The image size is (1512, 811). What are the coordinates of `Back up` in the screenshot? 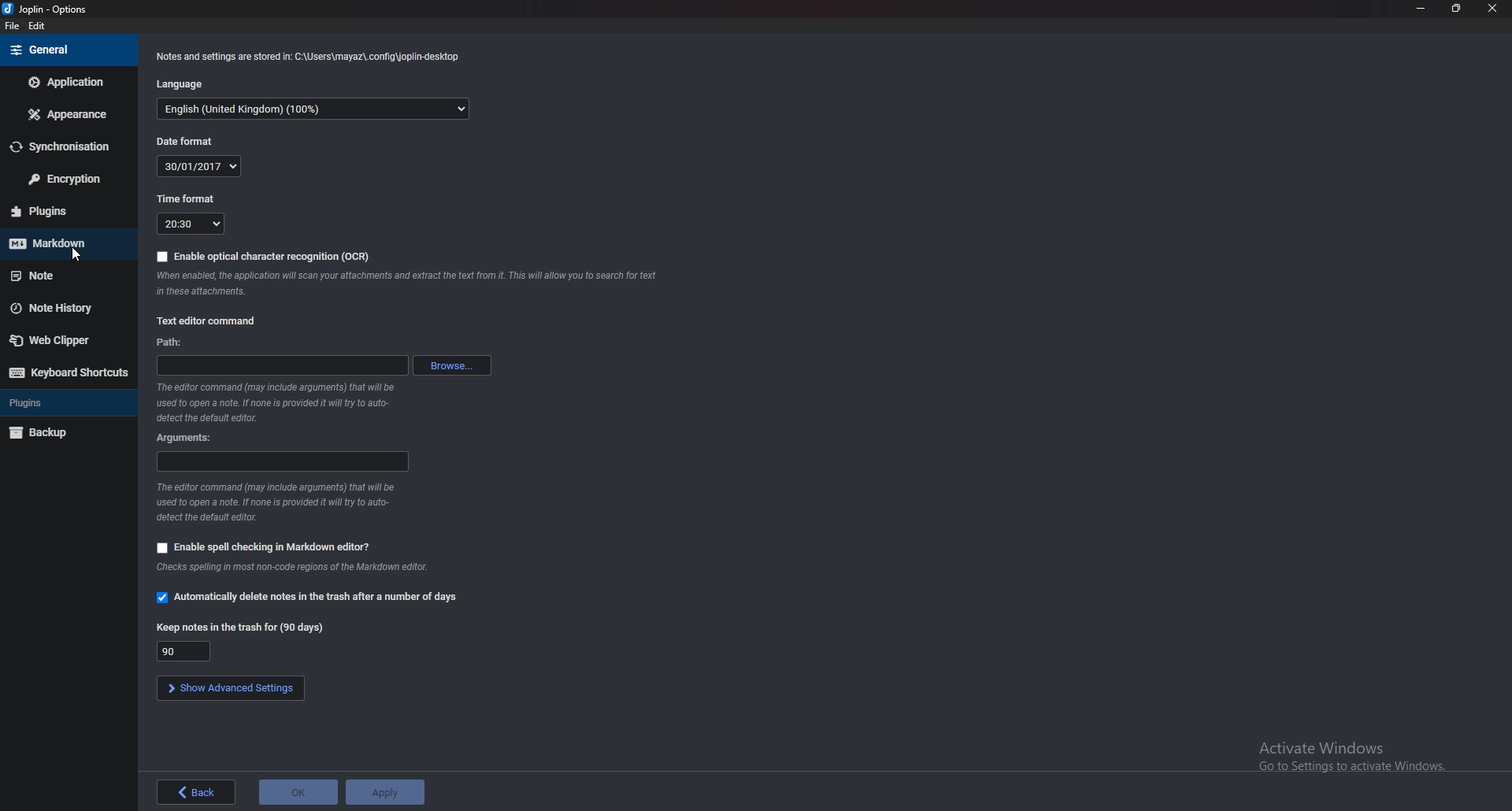 It's located at (64, 435).